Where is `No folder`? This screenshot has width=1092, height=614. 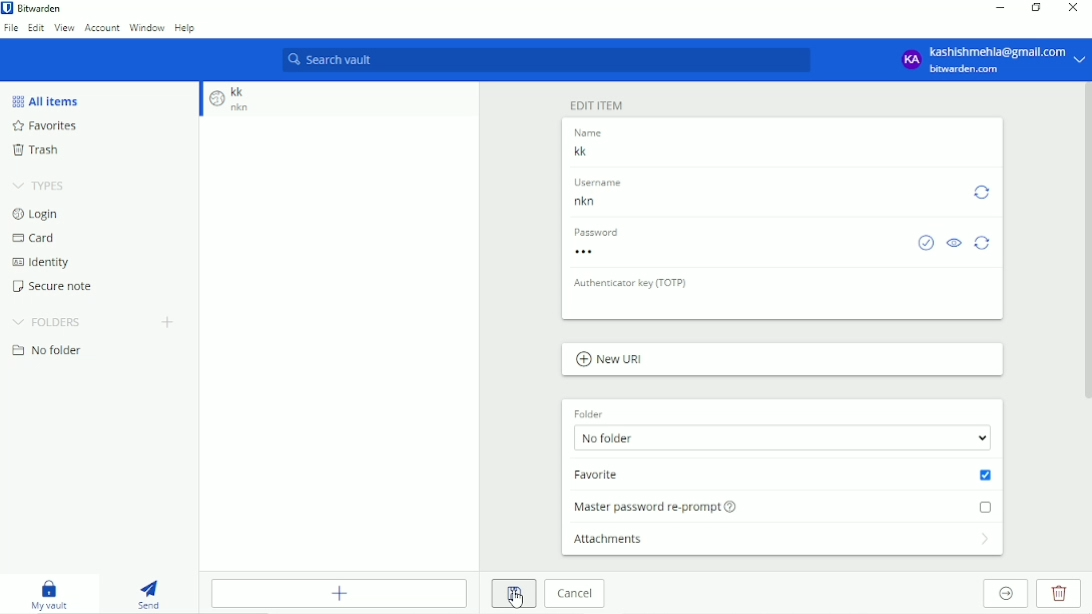
No folder is located at coordinates (50, 349).